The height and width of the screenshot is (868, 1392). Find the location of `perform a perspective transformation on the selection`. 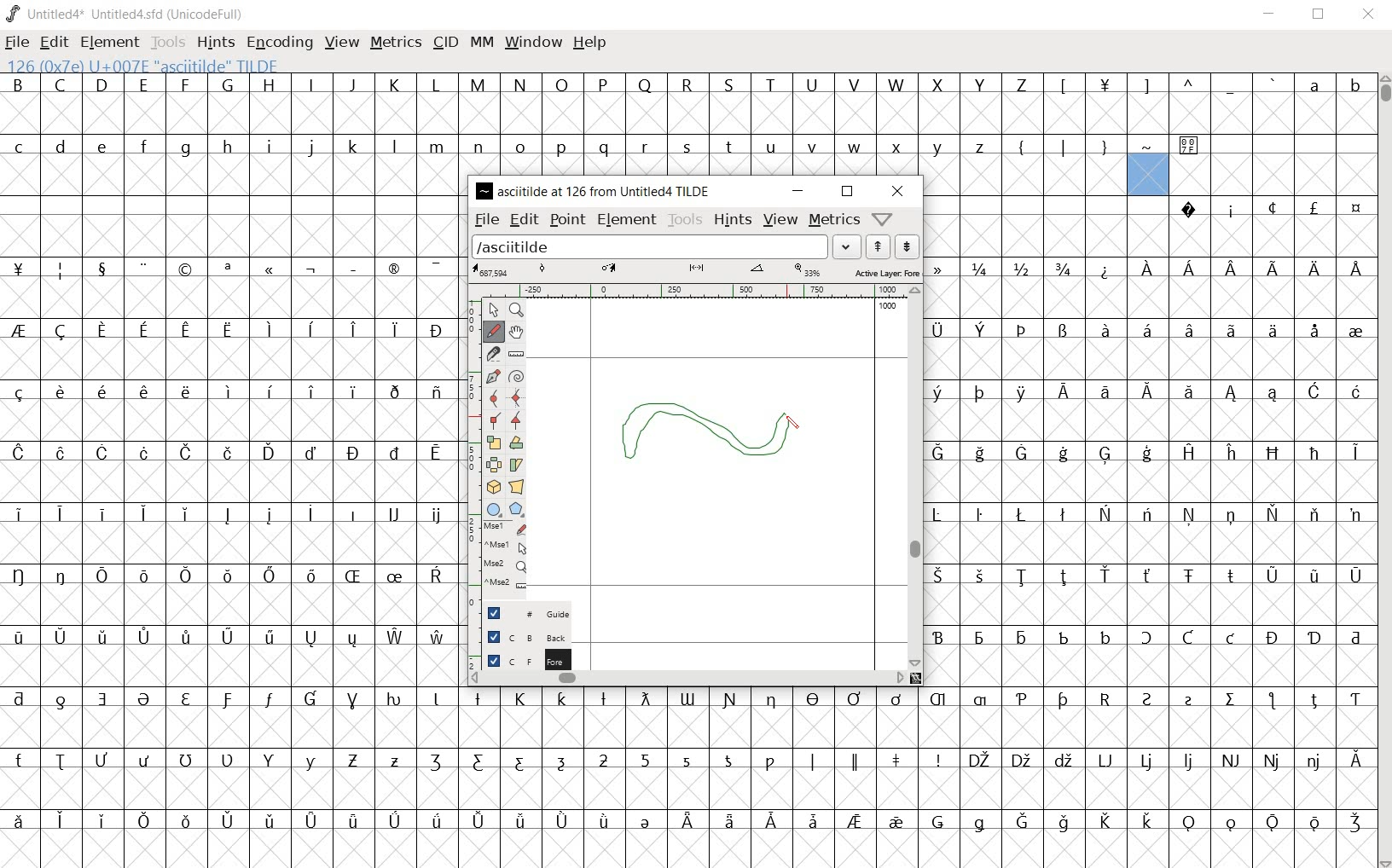

perform a perspective transformation on the selection is located at coordinates (518, 487).